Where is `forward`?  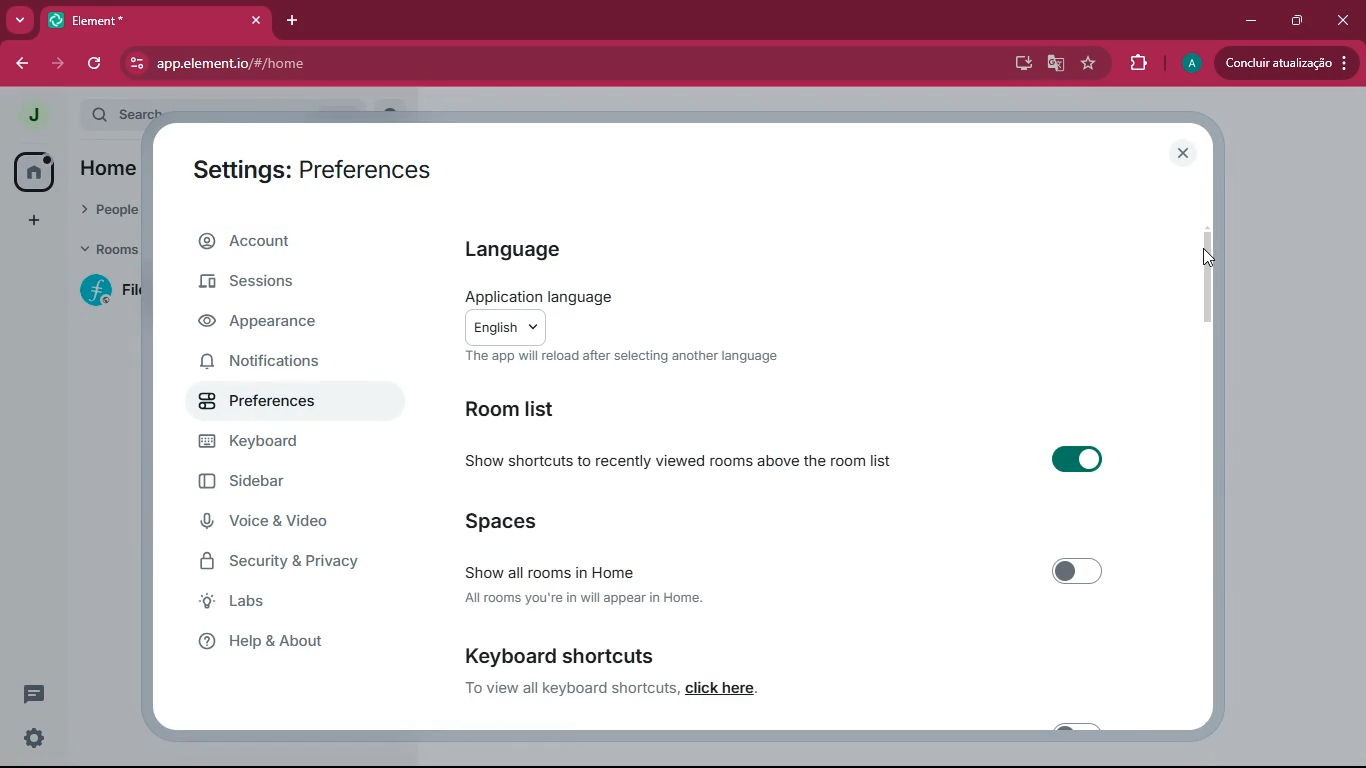
forward is located at coordinates (57, 63).